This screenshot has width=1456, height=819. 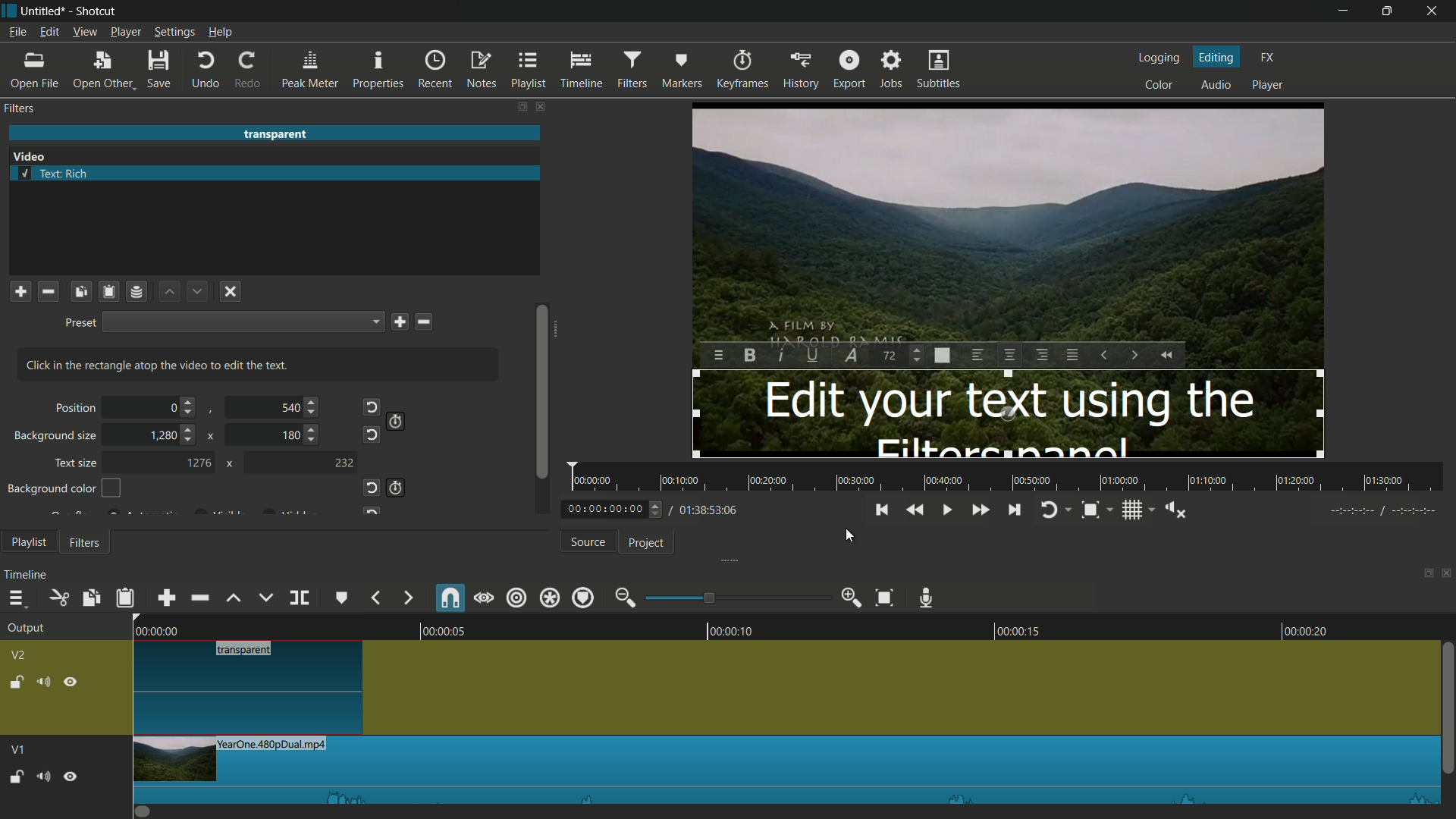 I want to click on 0, so click(x=172, y=409).